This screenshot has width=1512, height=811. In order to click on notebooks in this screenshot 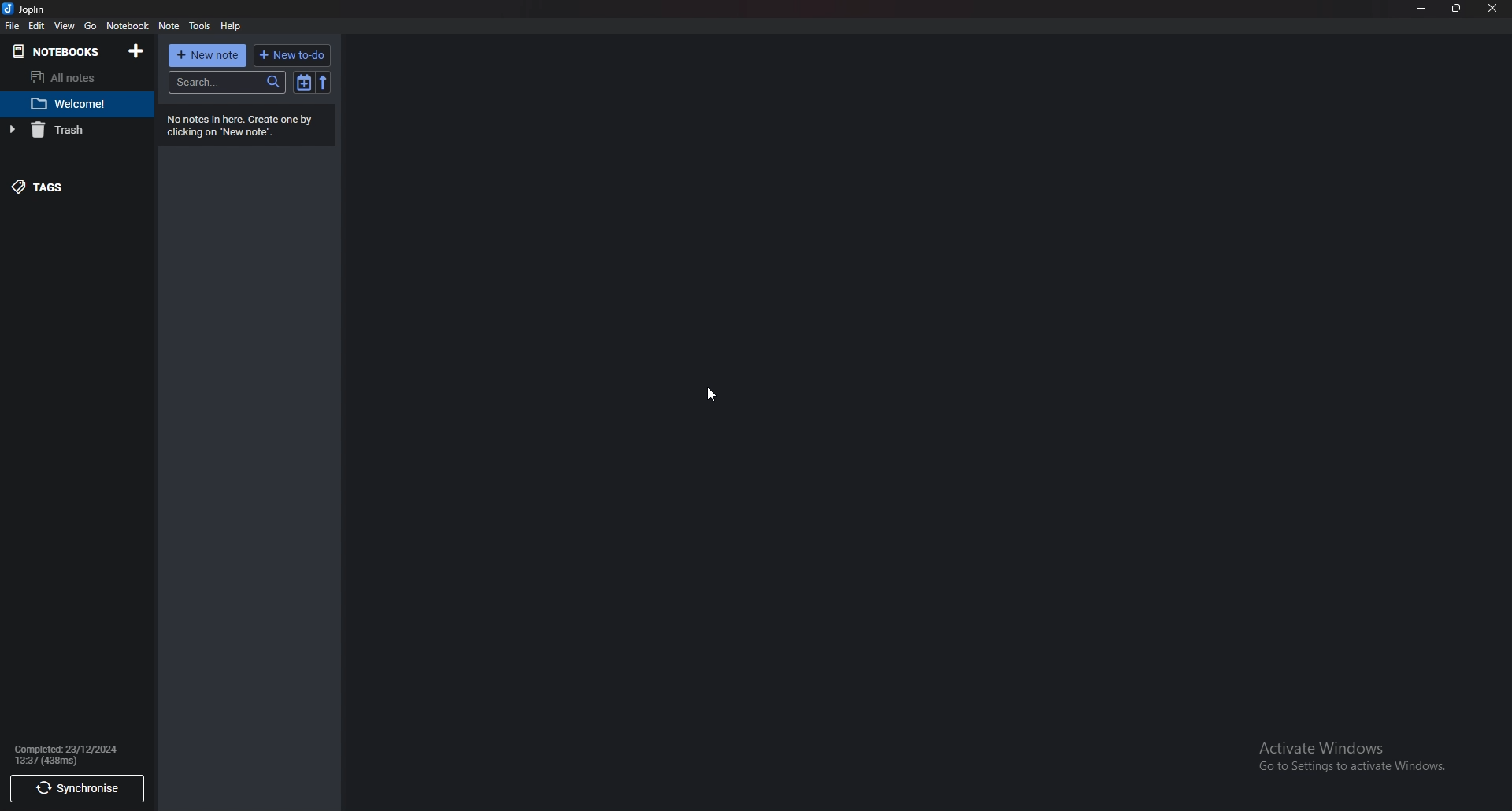, I will do `click(58, 51)`.